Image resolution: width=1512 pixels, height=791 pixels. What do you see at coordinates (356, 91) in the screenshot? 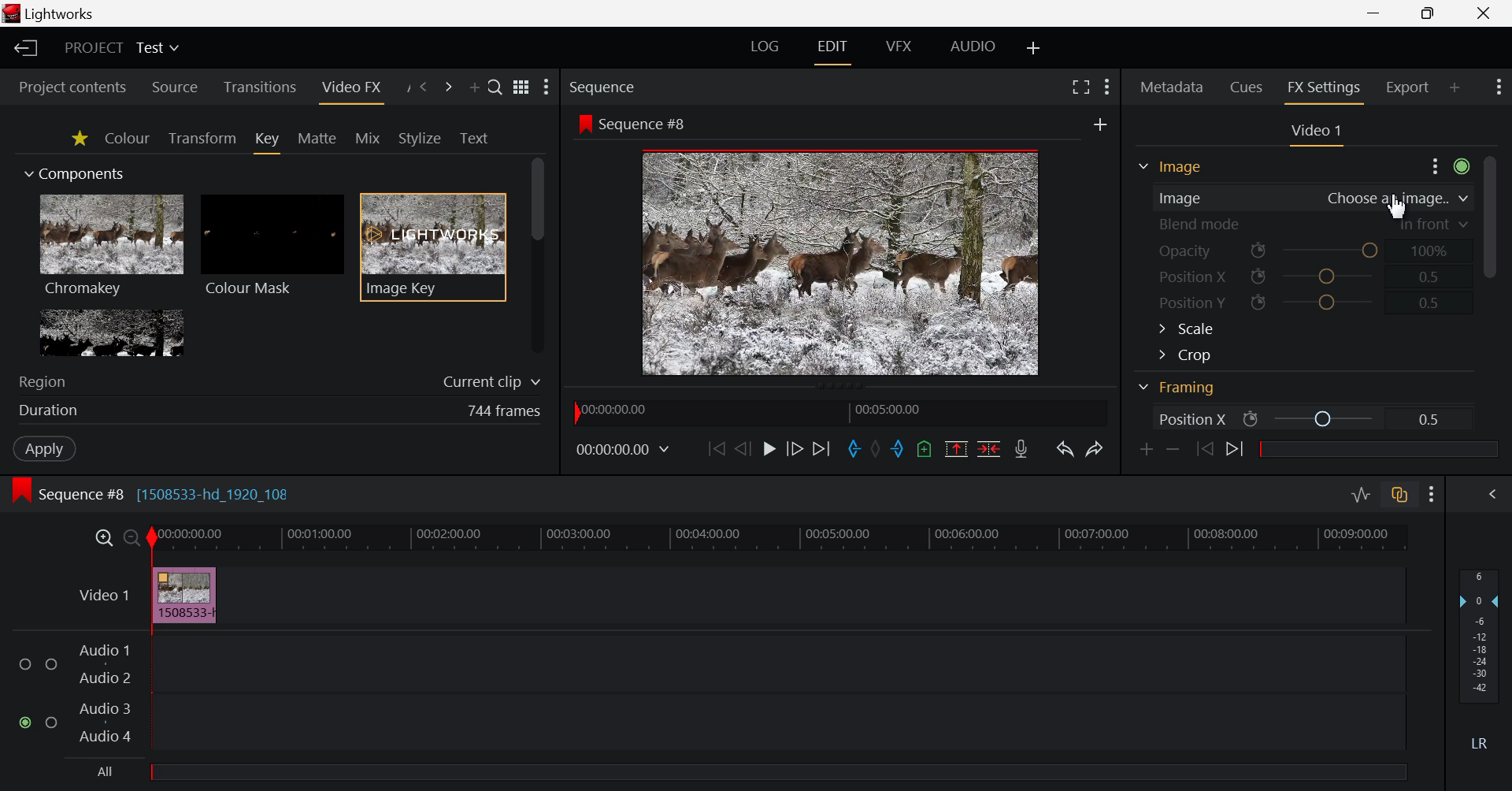
I see `Video FX` at bounding box center [356, 91].